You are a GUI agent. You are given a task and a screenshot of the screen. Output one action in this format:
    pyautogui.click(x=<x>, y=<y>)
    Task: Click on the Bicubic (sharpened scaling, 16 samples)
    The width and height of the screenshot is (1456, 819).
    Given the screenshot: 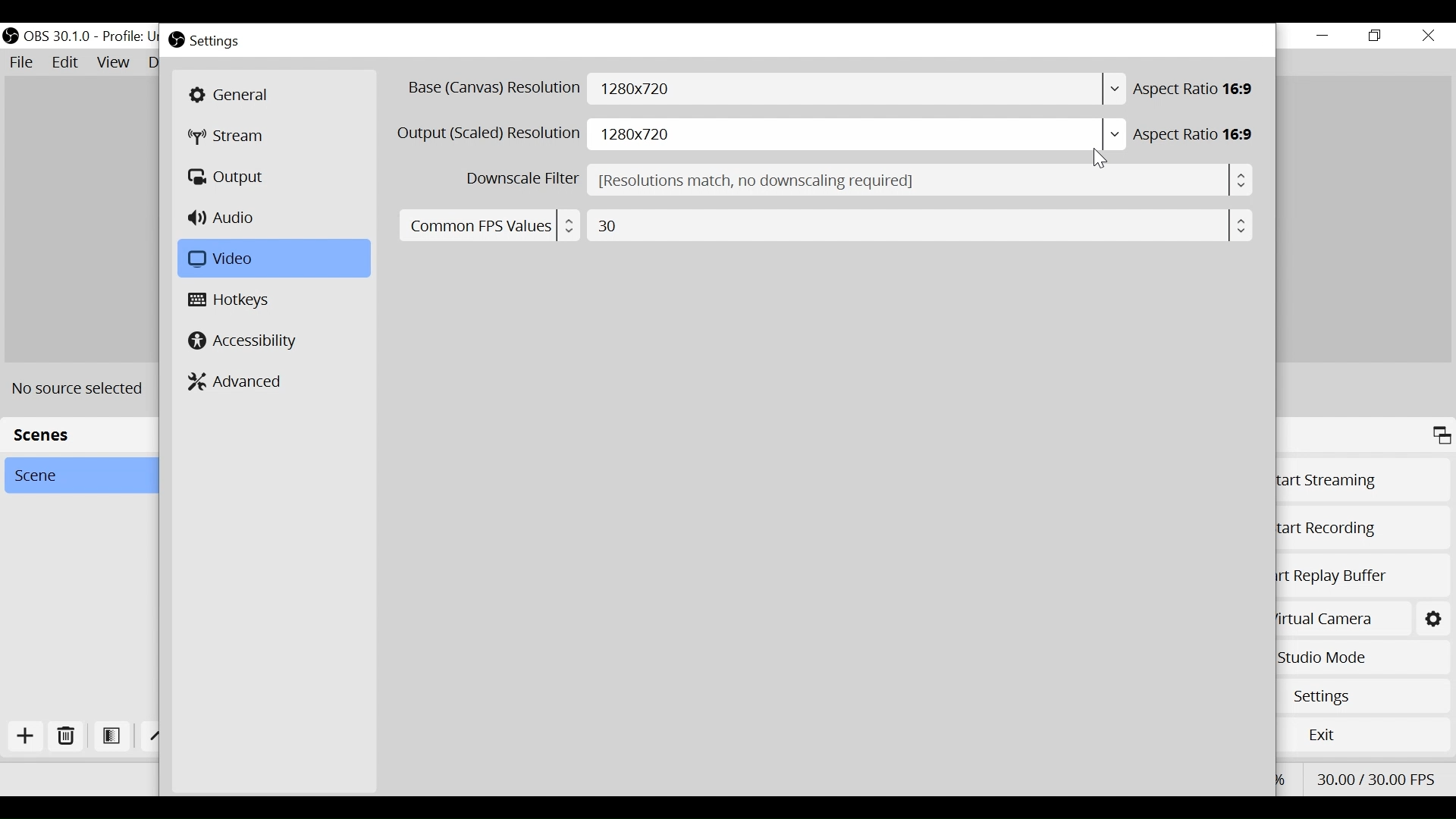 What is the action you would take?
    pyautogui.click(x=922, y=180)
    